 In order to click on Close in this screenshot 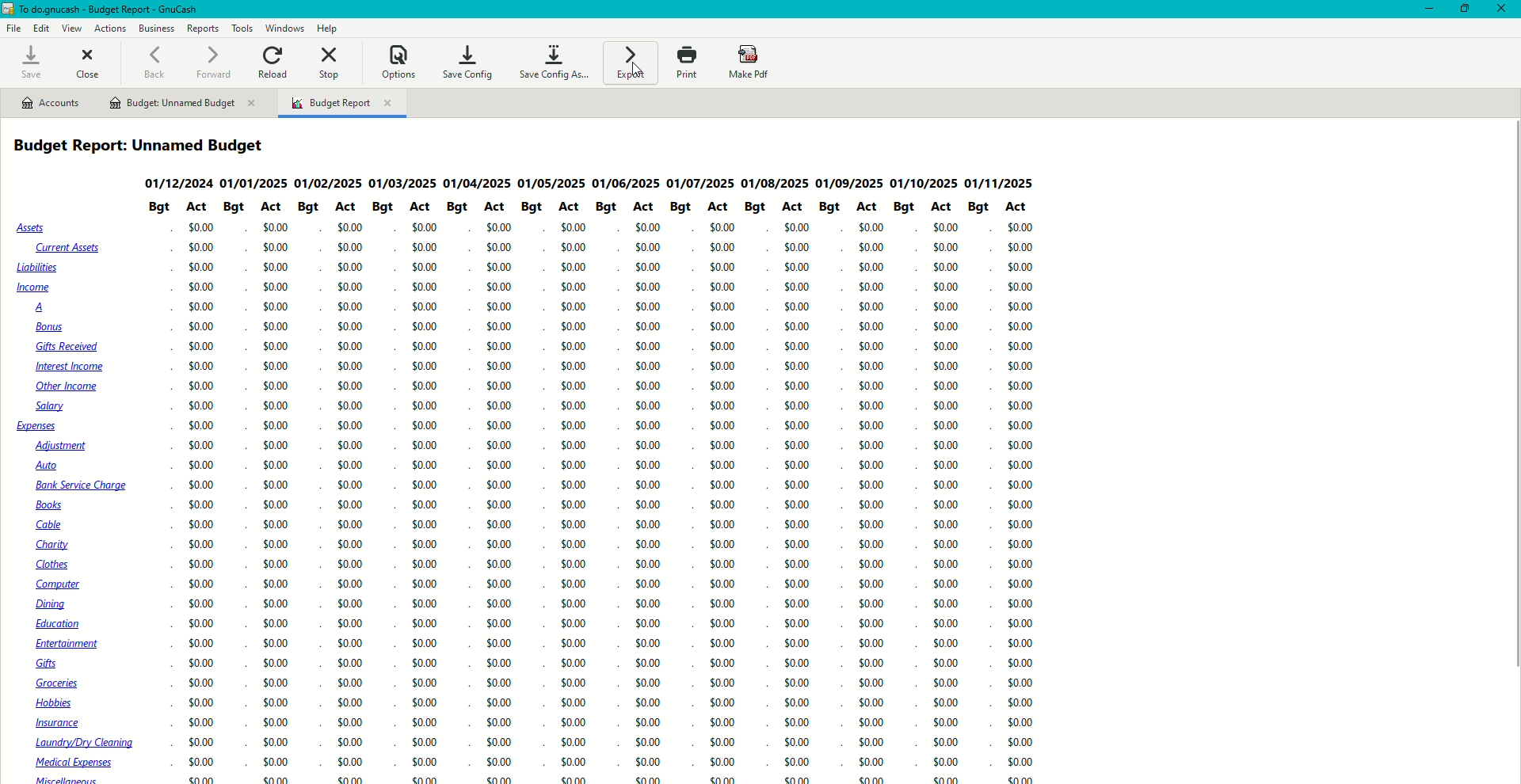, I will do `click(90, 61)`.